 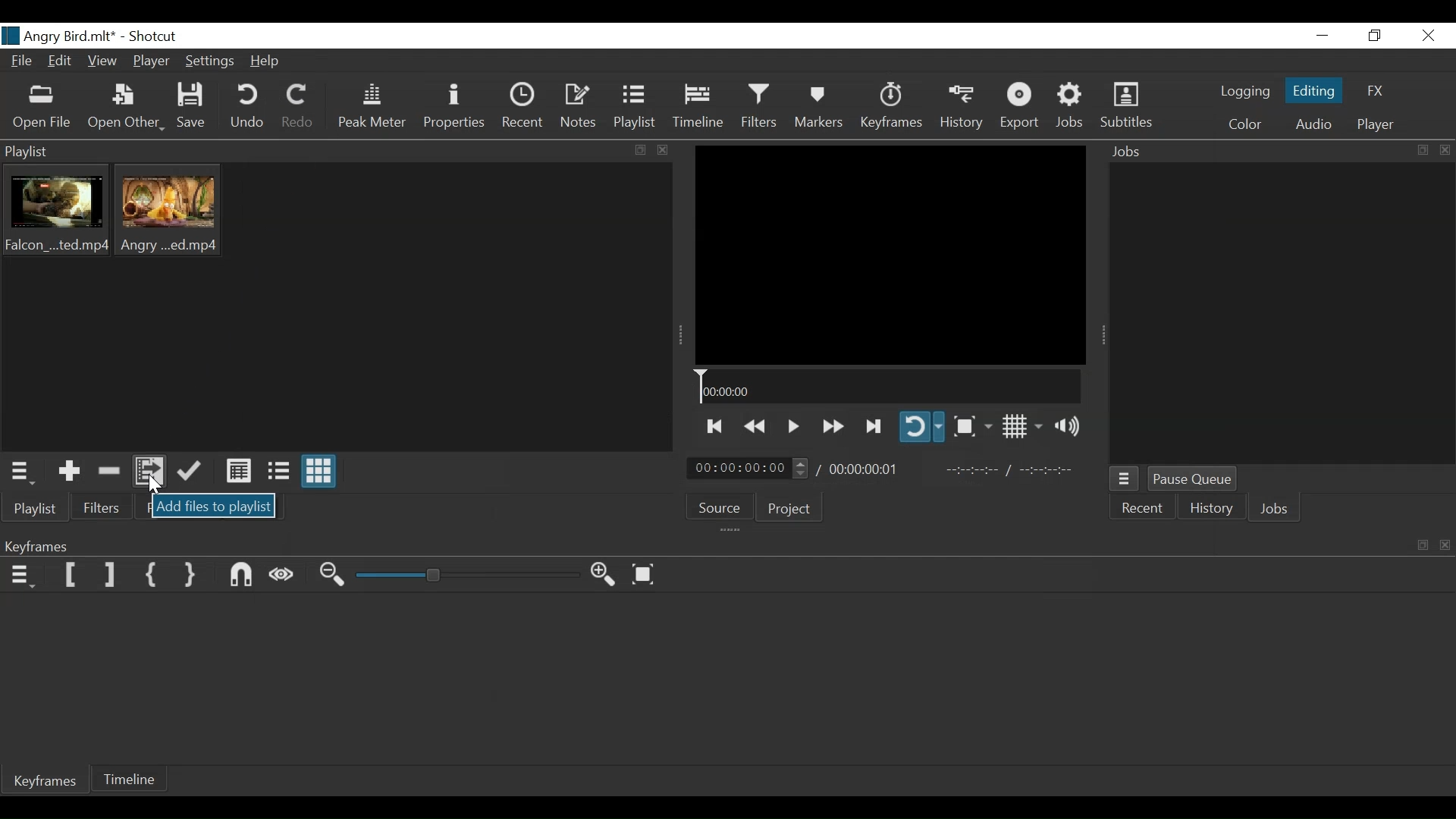 What do you see at coordinates (890, 254) in the screenshot?
I see `Media Viewer` at bounding box center [890, 254].